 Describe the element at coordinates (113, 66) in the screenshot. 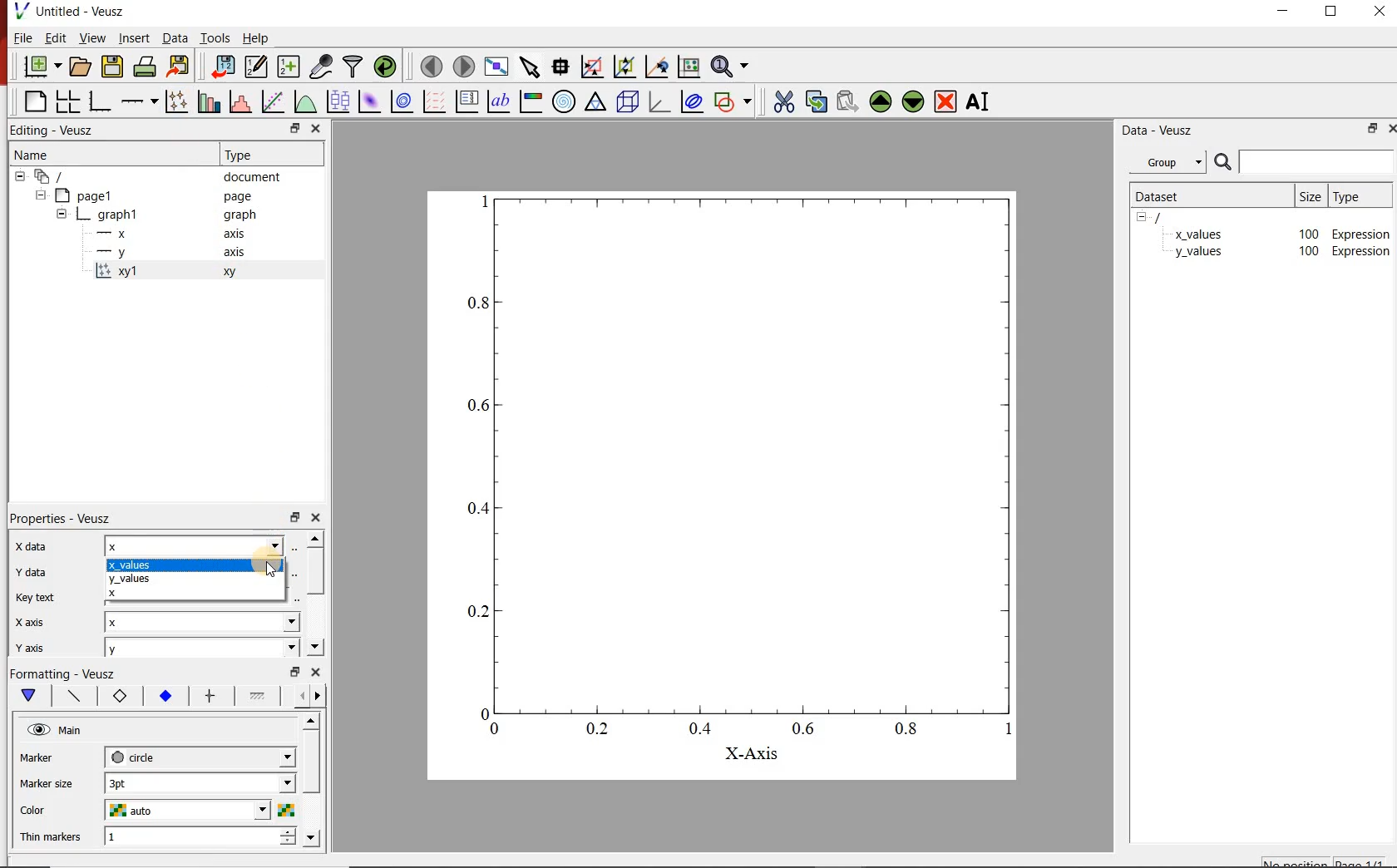

I see `save` at that location.